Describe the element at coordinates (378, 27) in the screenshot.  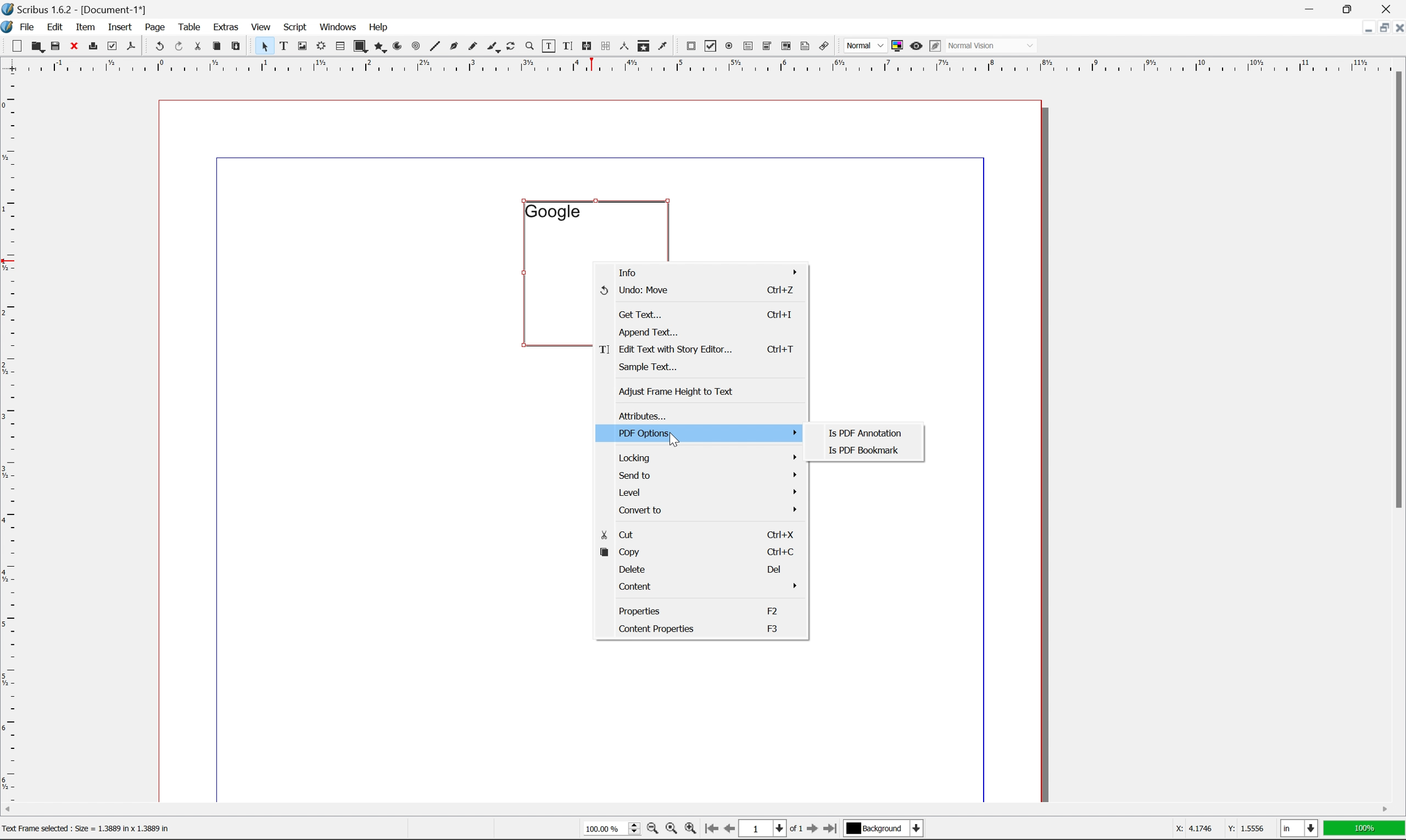
I see `help` at that location.